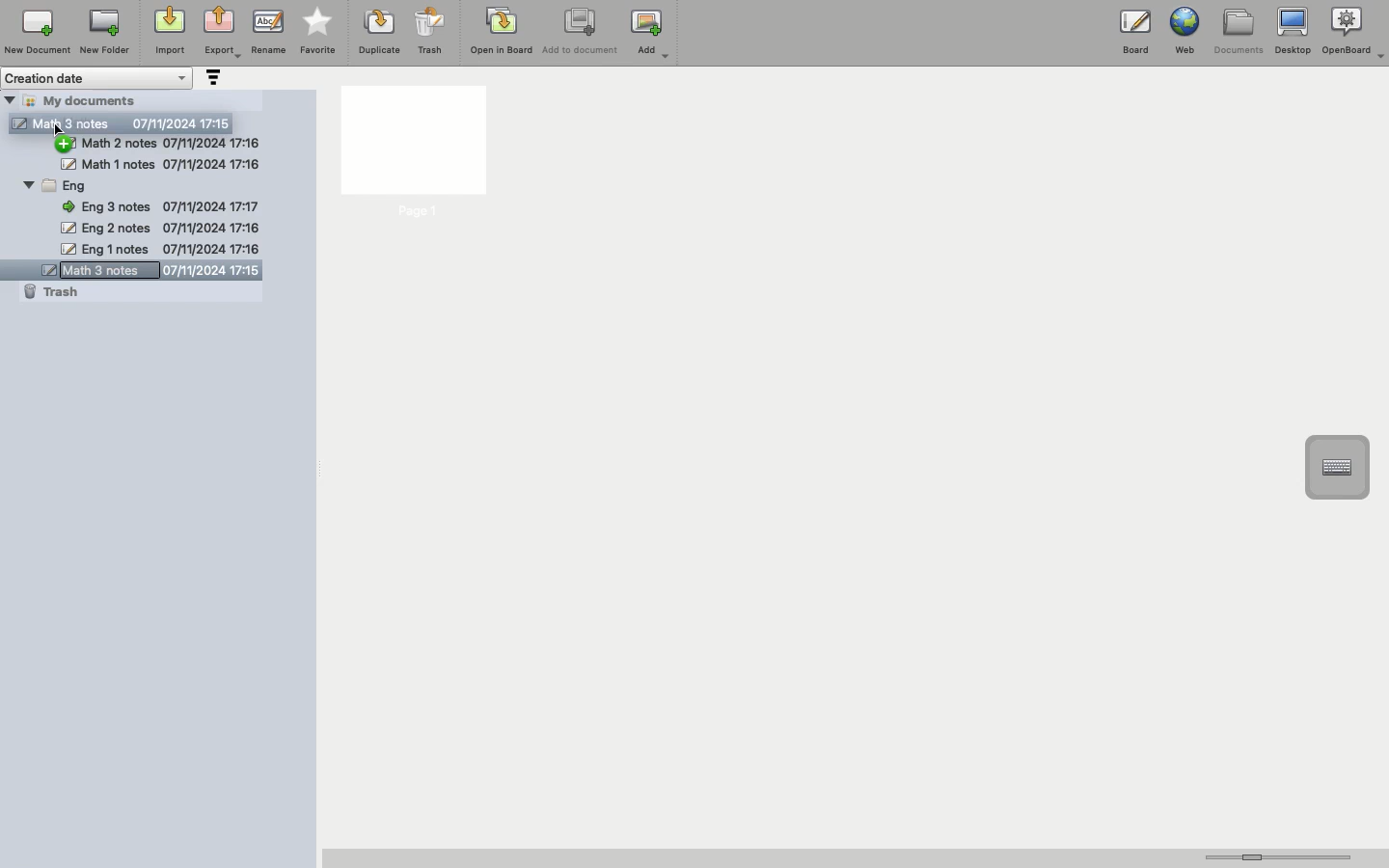  I want to click on Add to document, so click(582, 33).